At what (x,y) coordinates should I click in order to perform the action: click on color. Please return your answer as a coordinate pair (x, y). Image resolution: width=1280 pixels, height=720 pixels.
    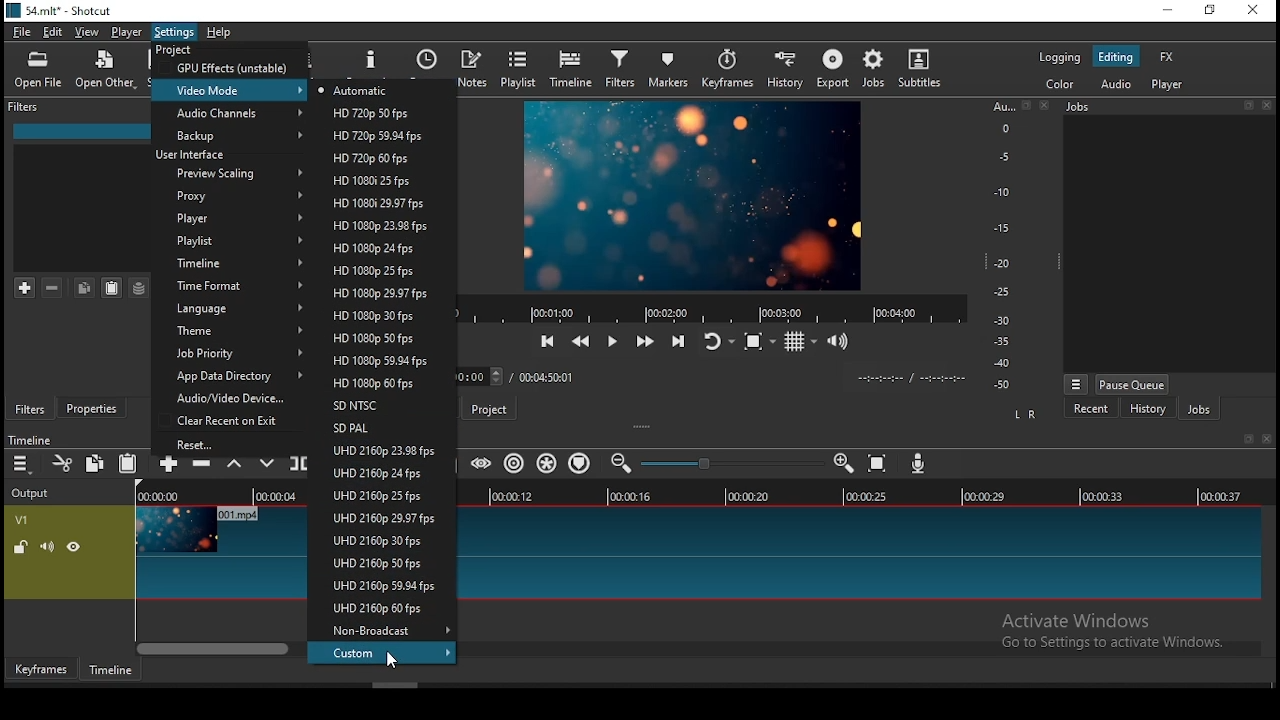
    Looking at the image, I should click on (1059, 83).